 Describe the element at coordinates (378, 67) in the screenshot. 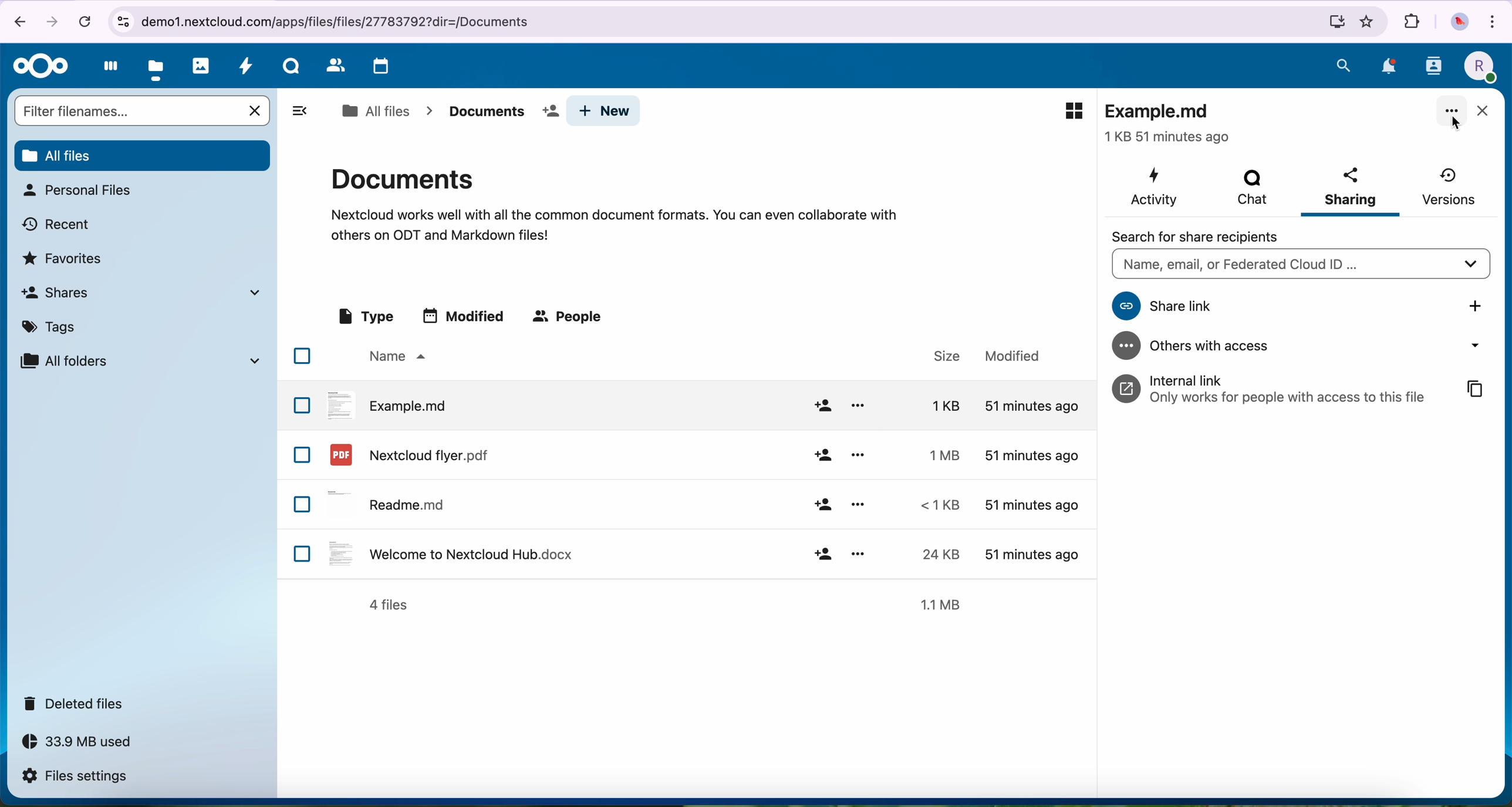

I see `calendar` at that location.